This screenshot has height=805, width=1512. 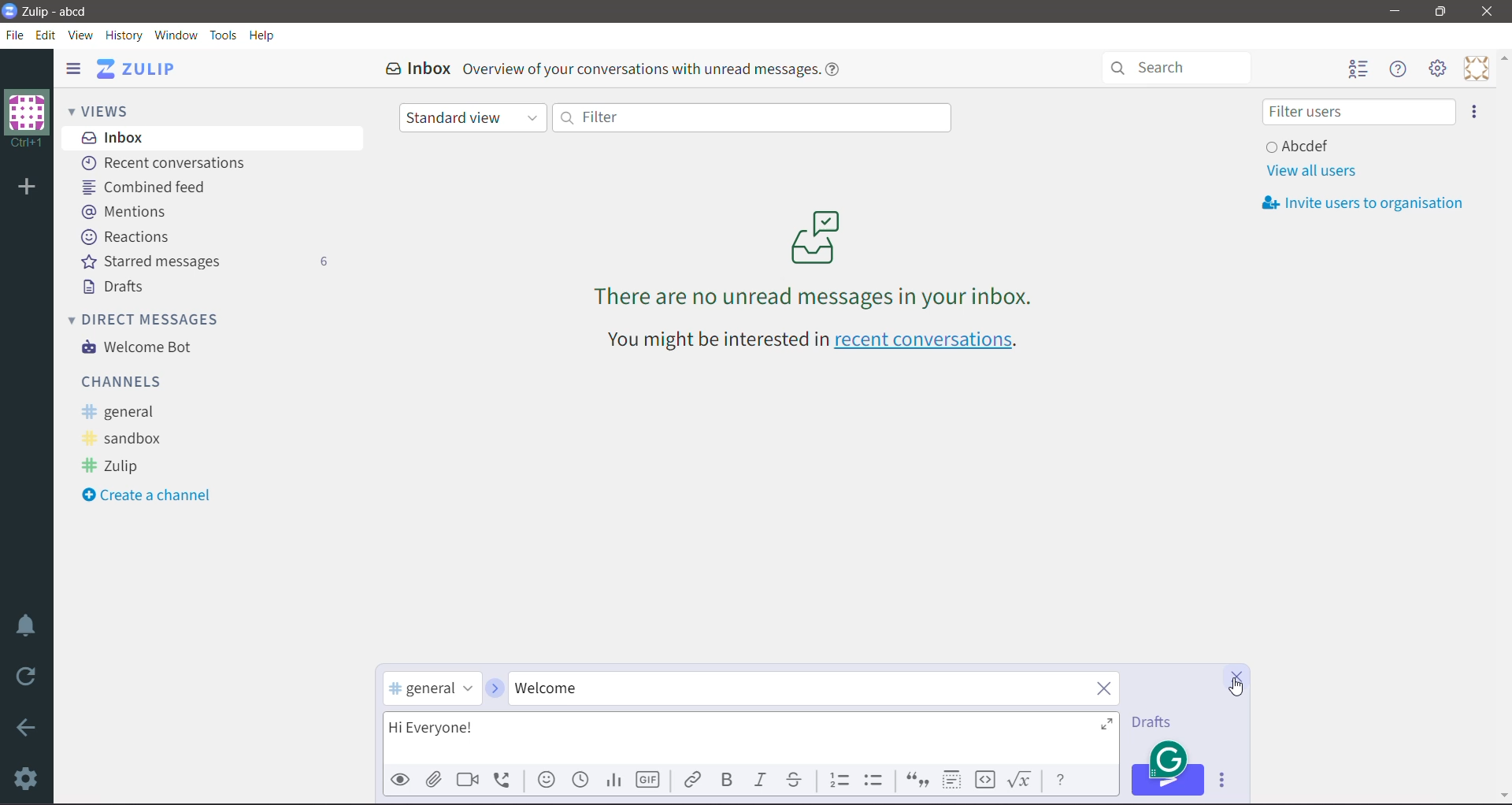 What do you see at coordinates (1171, 758) in the screenshot?
I see `desktop popup` at bounding box center [1171, 758].